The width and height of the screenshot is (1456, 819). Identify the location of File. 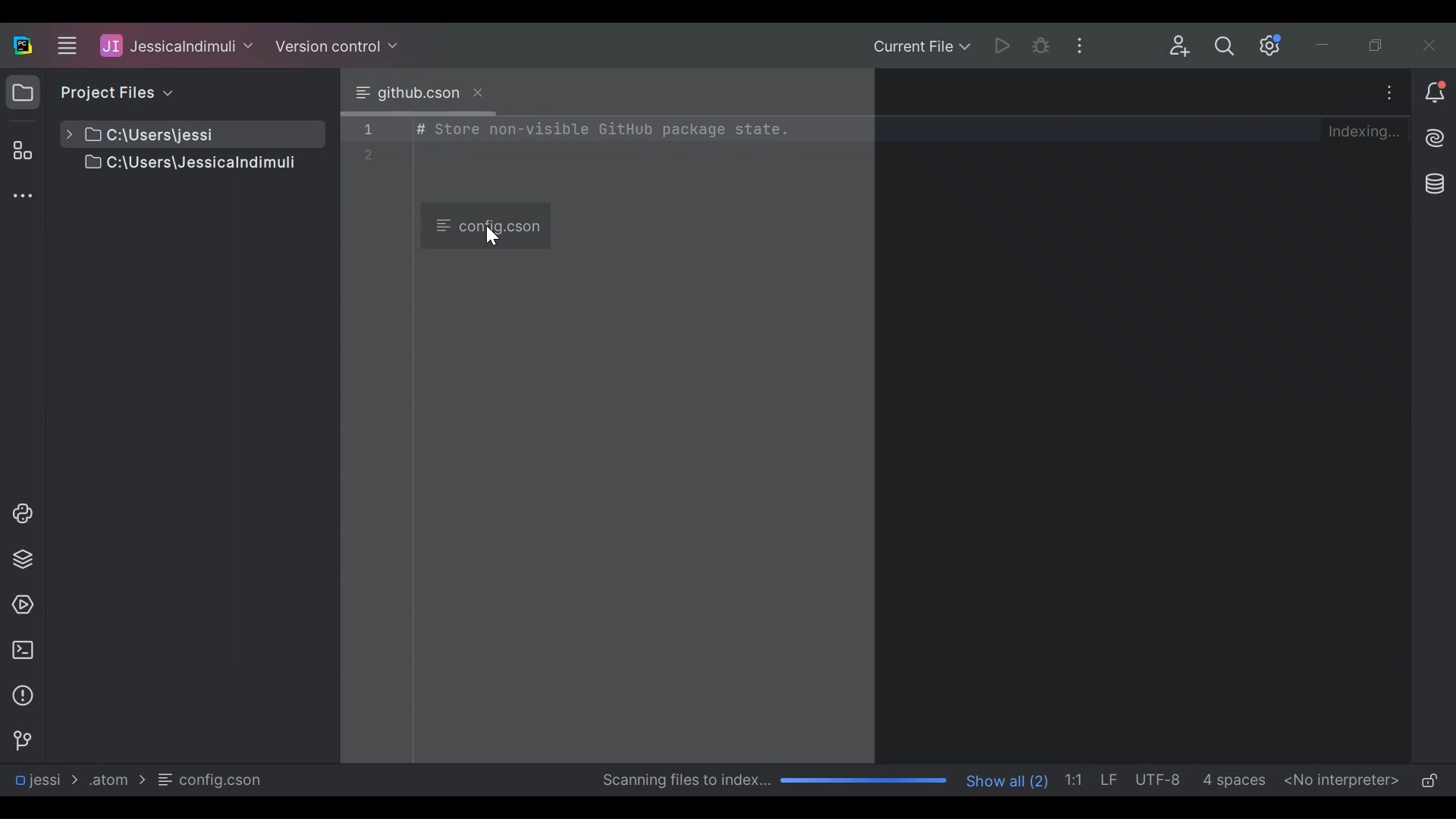
(212, 780).